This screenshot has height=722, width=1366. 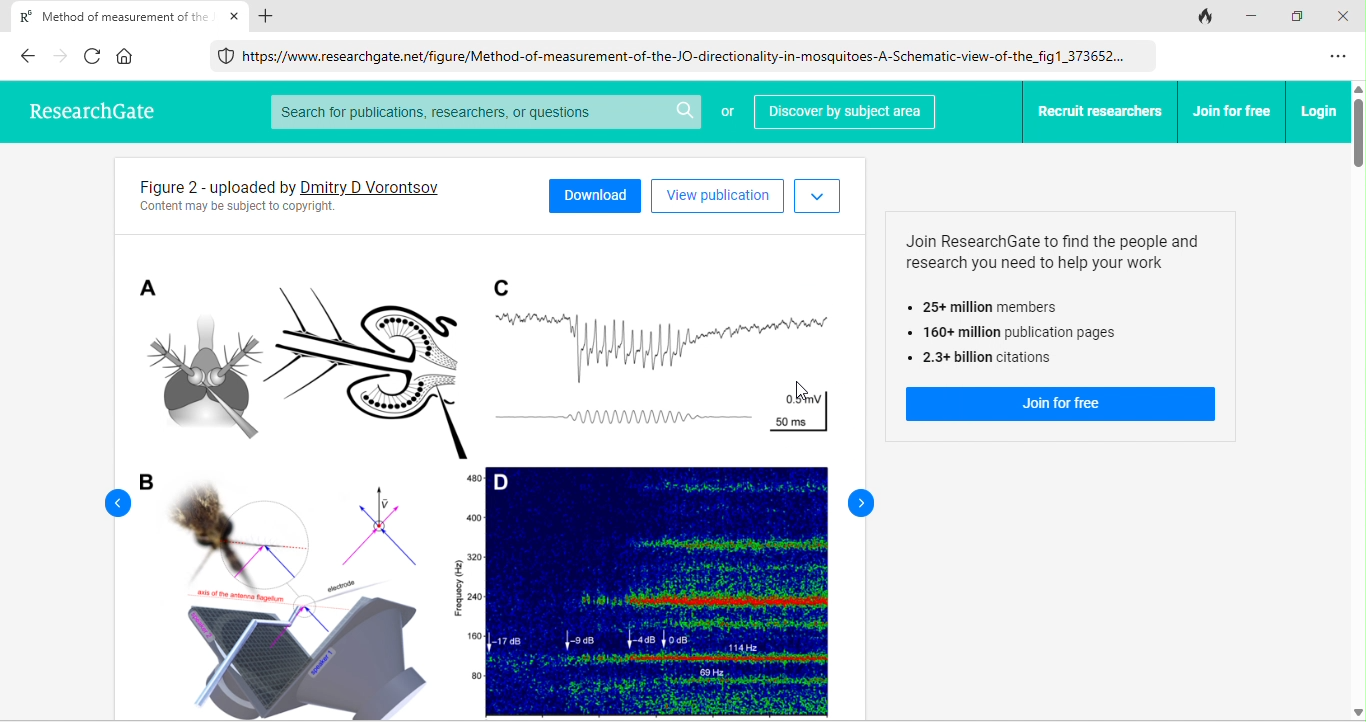 What do you see at coordinates (1255, 15) in the screenshot?
I see `minimize` at bounding box center [1255, 15].